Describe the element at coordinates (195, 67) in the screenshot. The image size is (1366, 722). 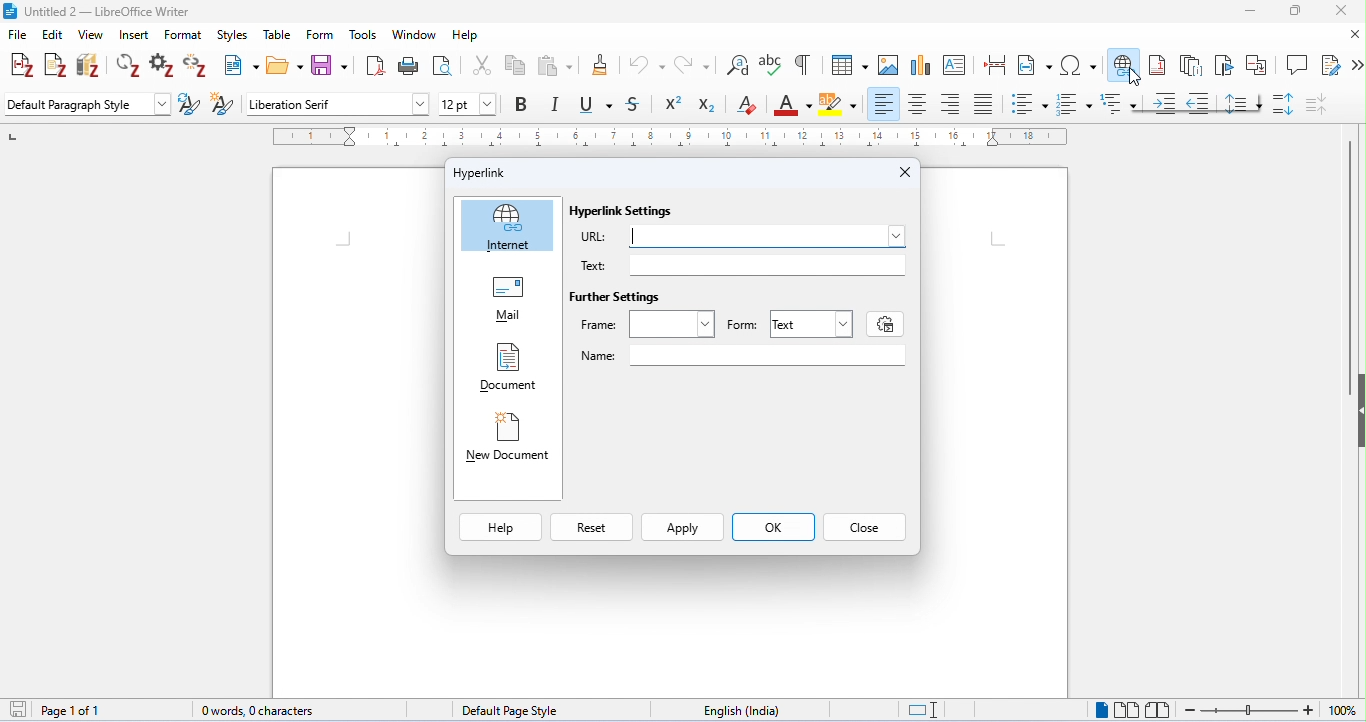
I see `unlink citations` at that location.